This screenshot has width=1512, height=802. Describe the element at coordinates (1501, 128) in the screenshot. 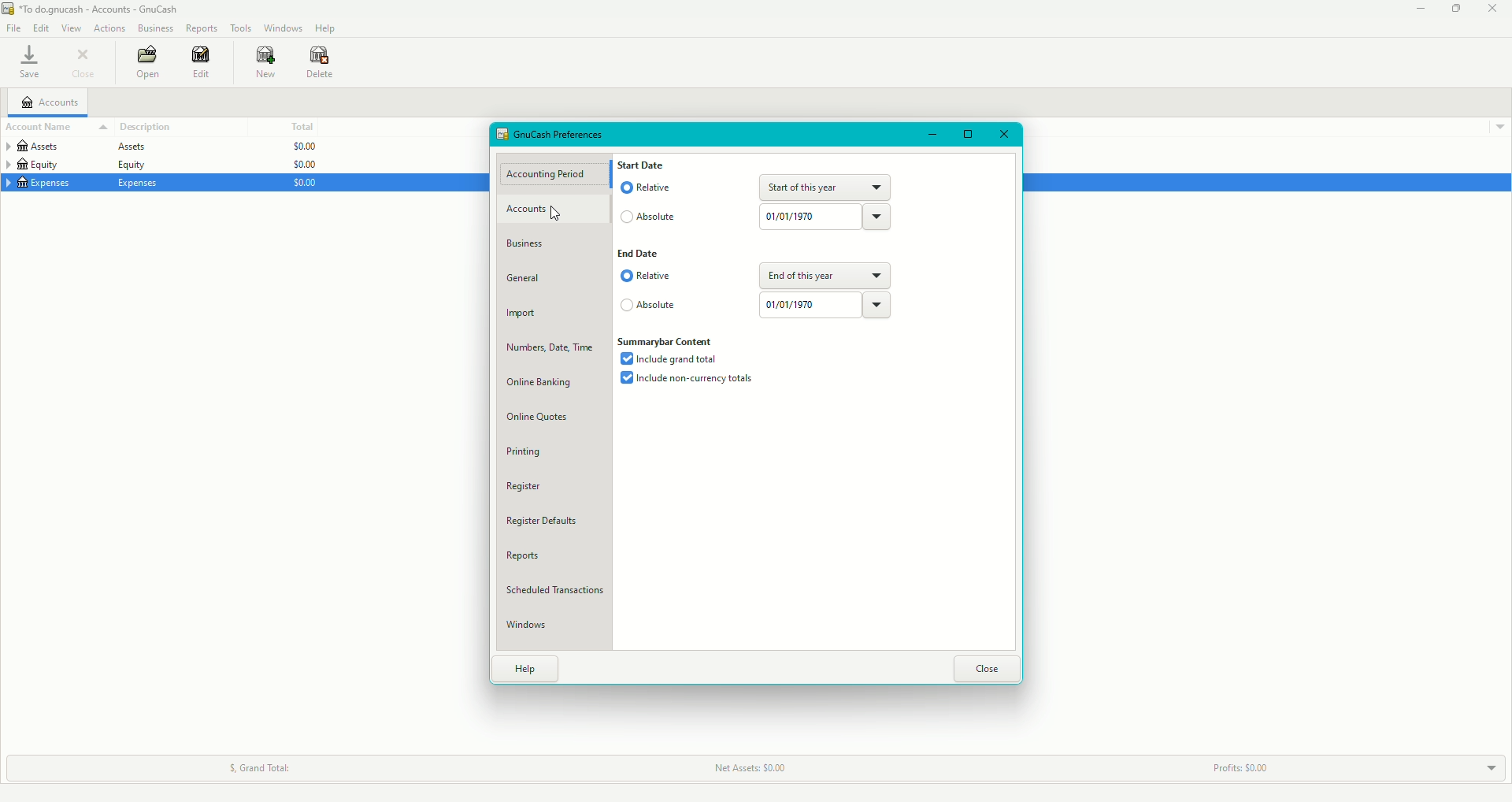

I see `Drop down` at that location.